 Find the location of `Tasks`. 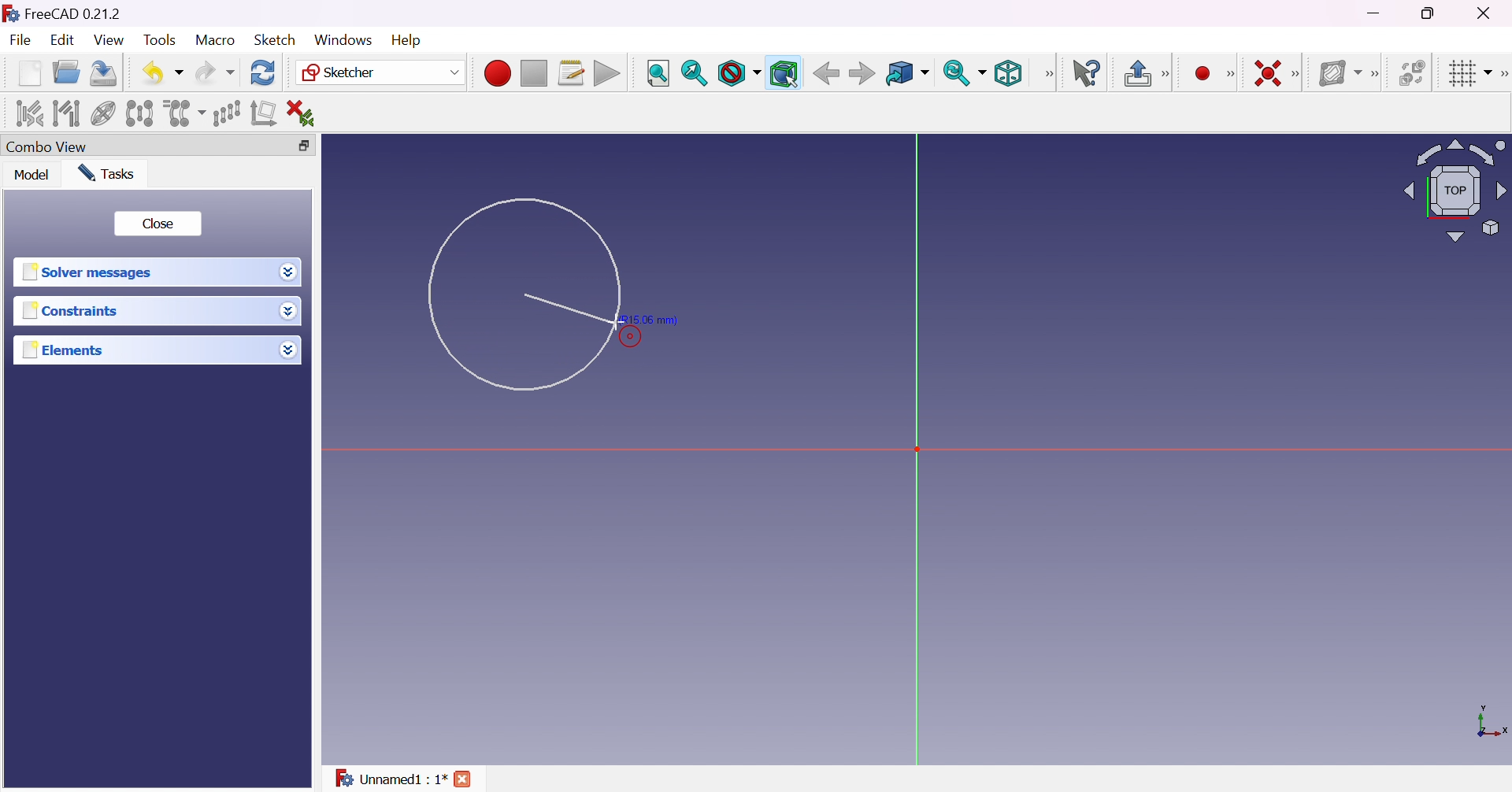

Tasks is located at coordinates (106, 172).